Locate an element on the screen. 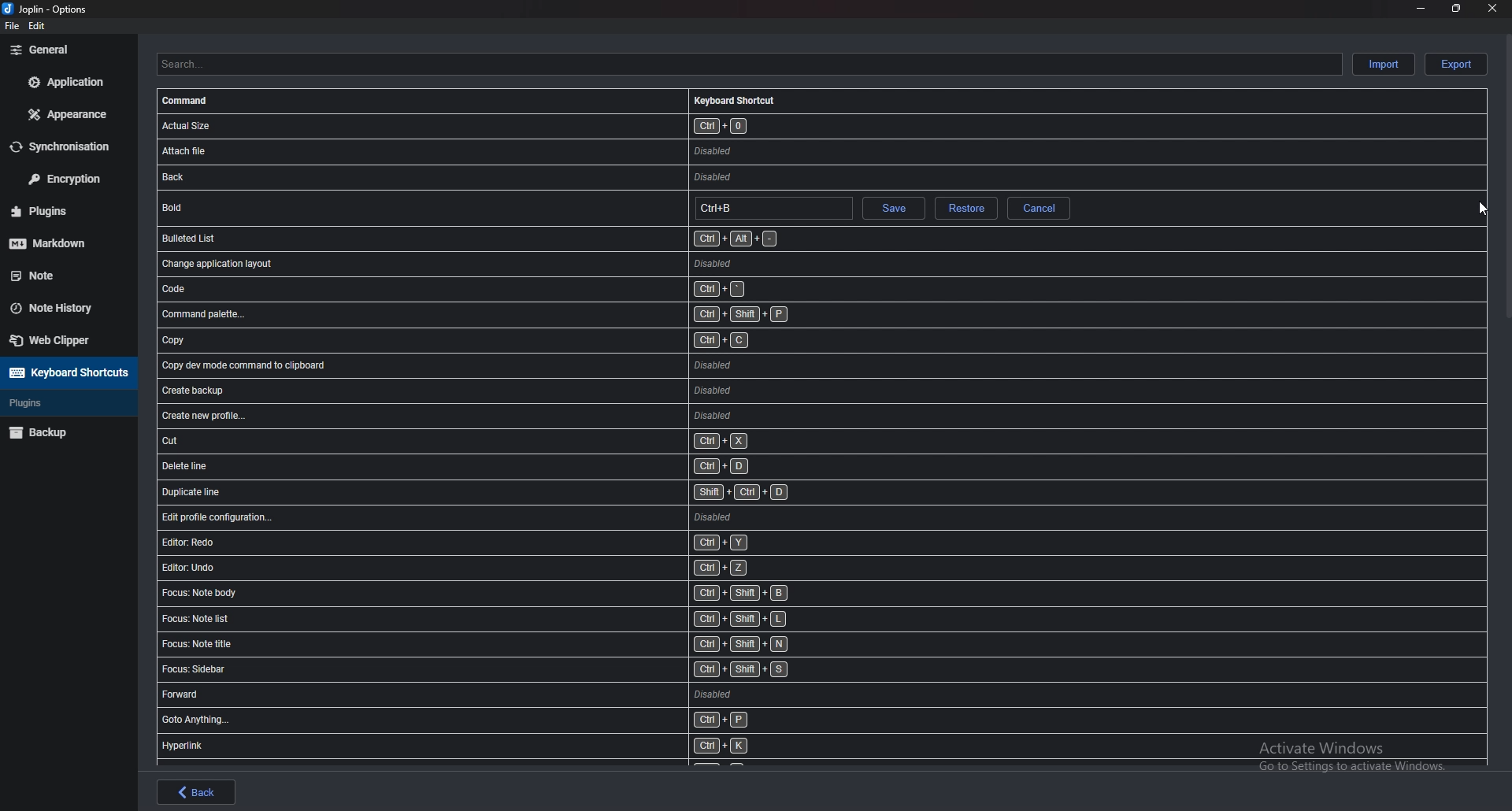 This screenshot has width=1512, height=811. Synchronization is located at coordinates (68, 146).